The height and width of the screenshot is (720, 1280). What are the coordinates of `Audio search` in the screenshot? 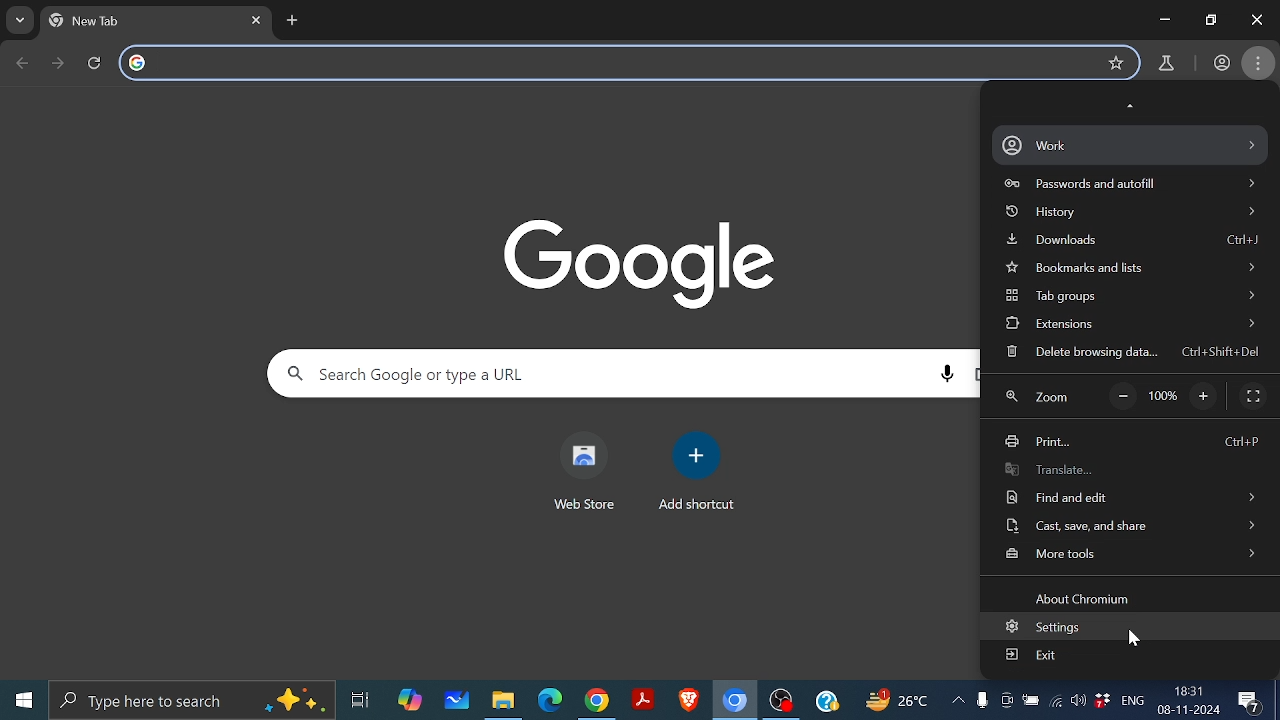 It's located at (947, 374).